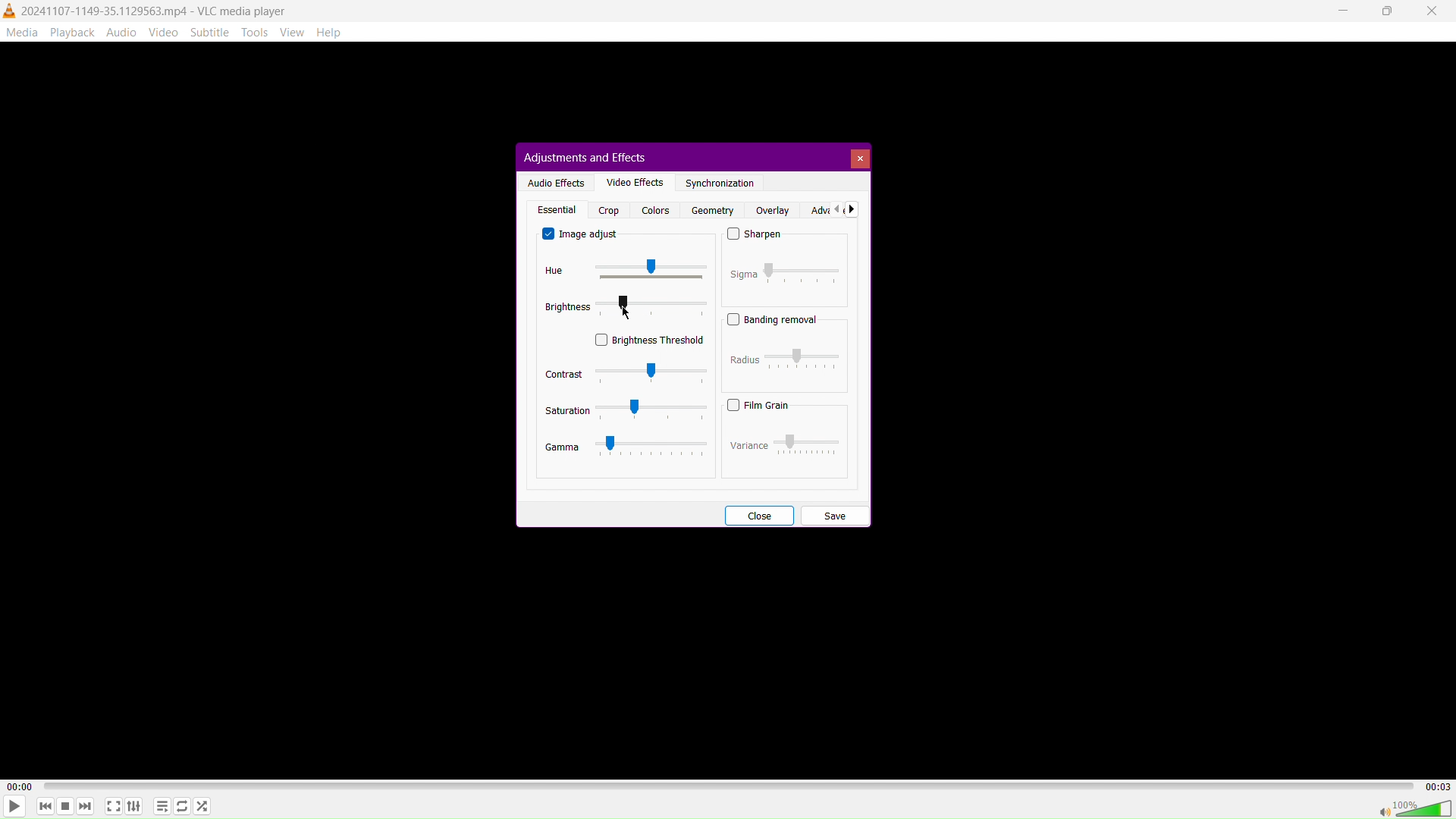  I want to click on Save, so click(834, 514).